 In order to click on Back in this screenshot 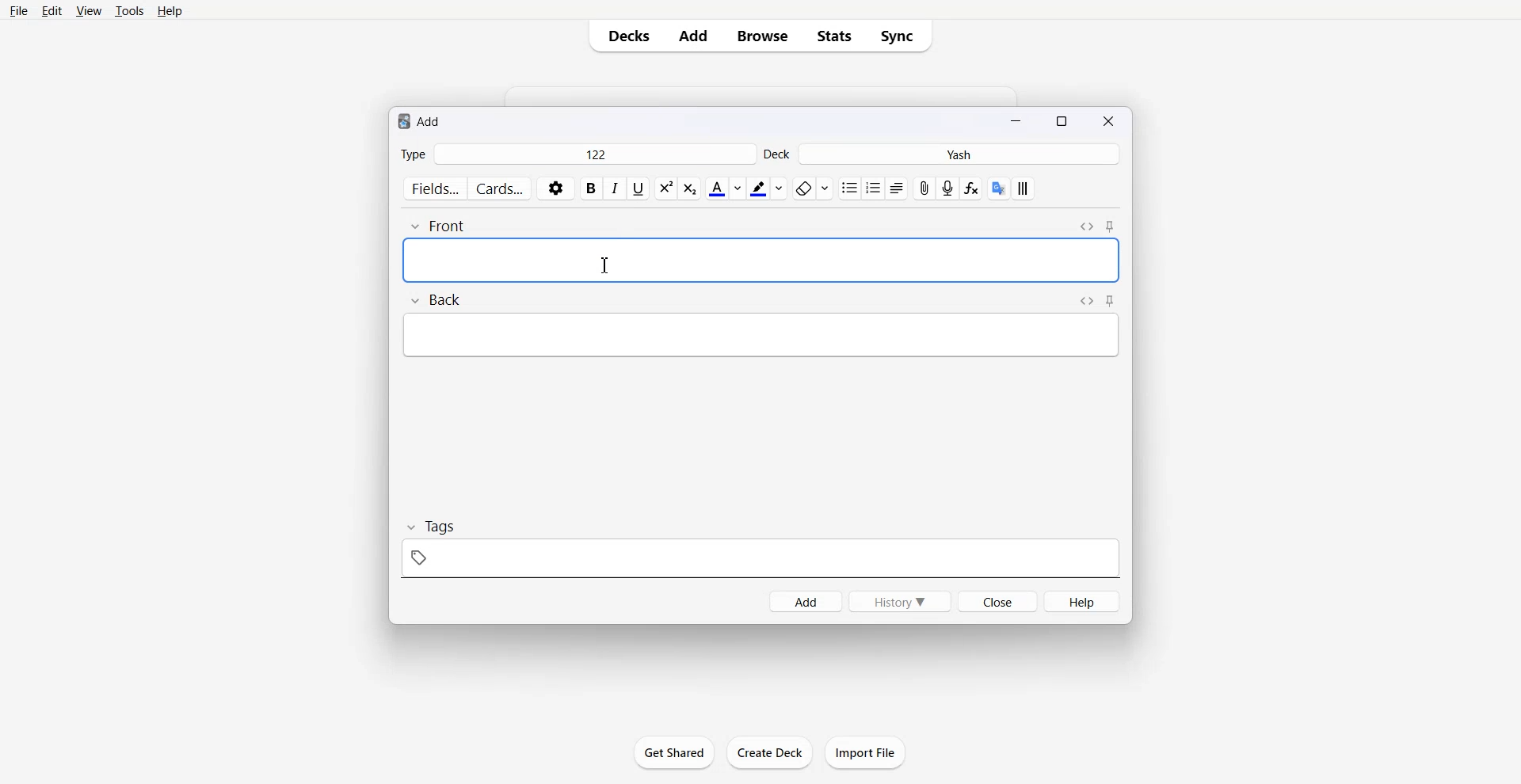, I will do `click(435, 301)`.